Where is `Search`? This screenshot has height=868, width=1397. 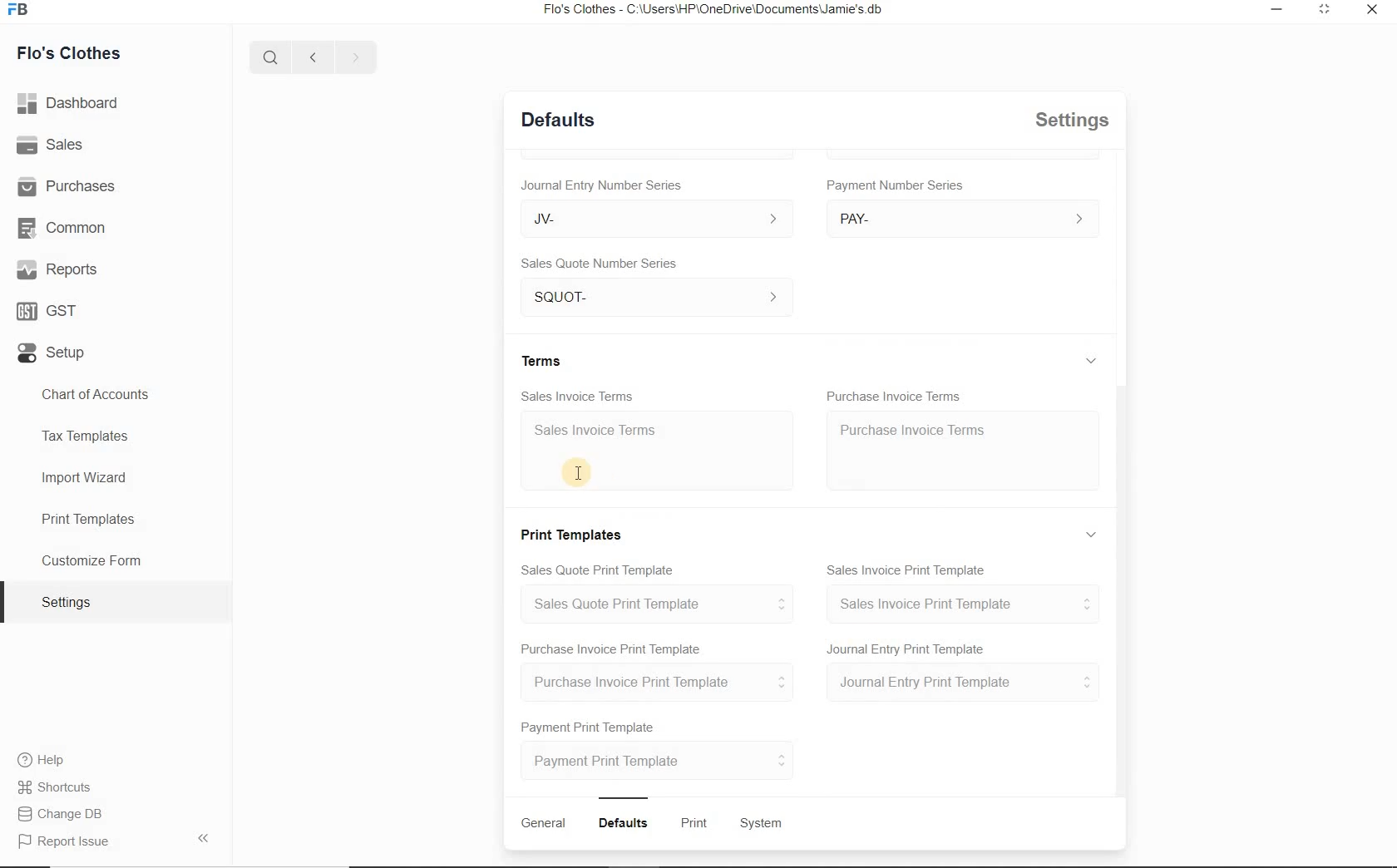
Search is located at coordinates (271, 56).